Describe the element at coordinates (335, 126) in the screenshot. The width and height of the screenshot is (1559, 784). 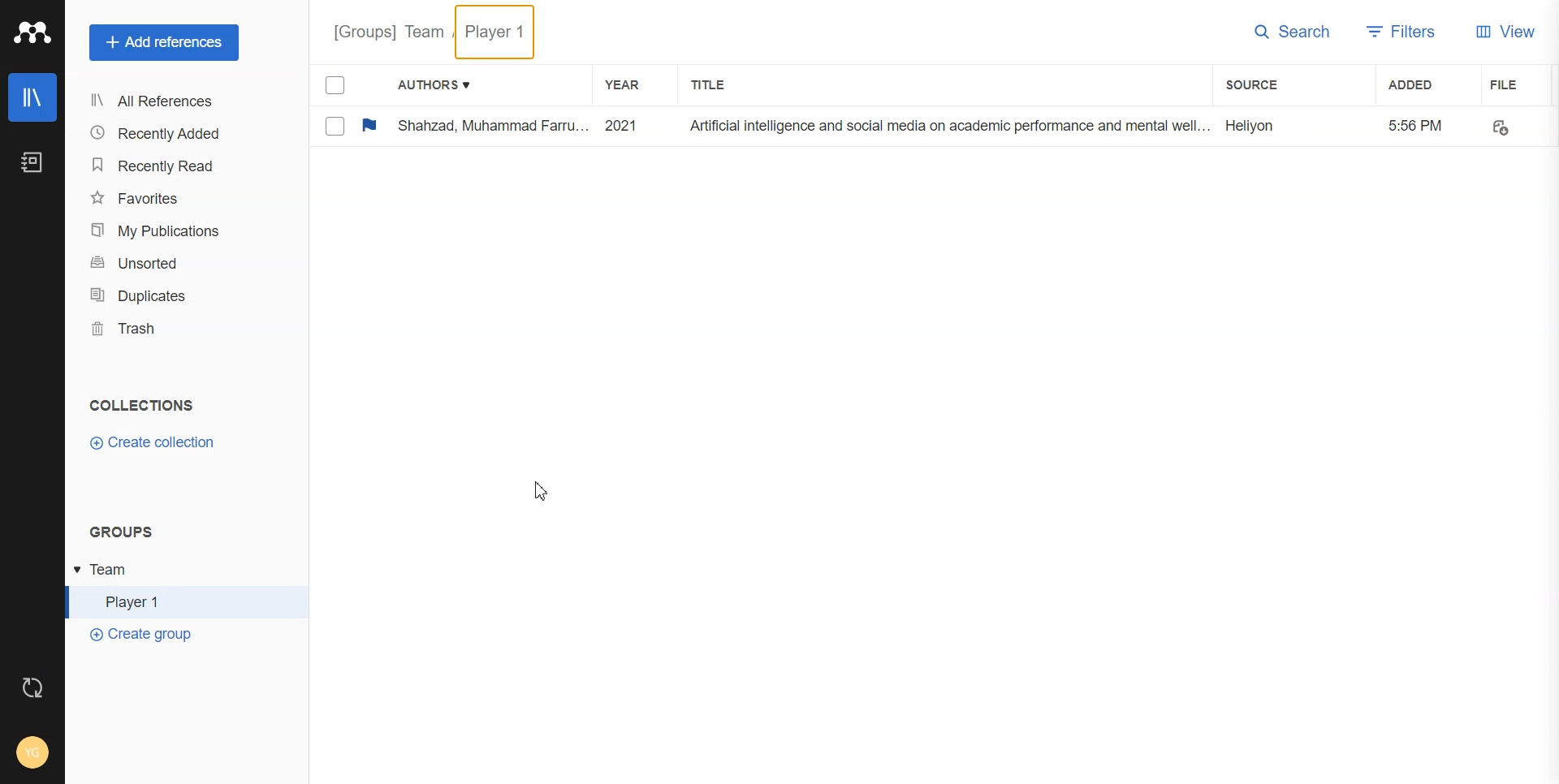
I see `select entry` at that location.